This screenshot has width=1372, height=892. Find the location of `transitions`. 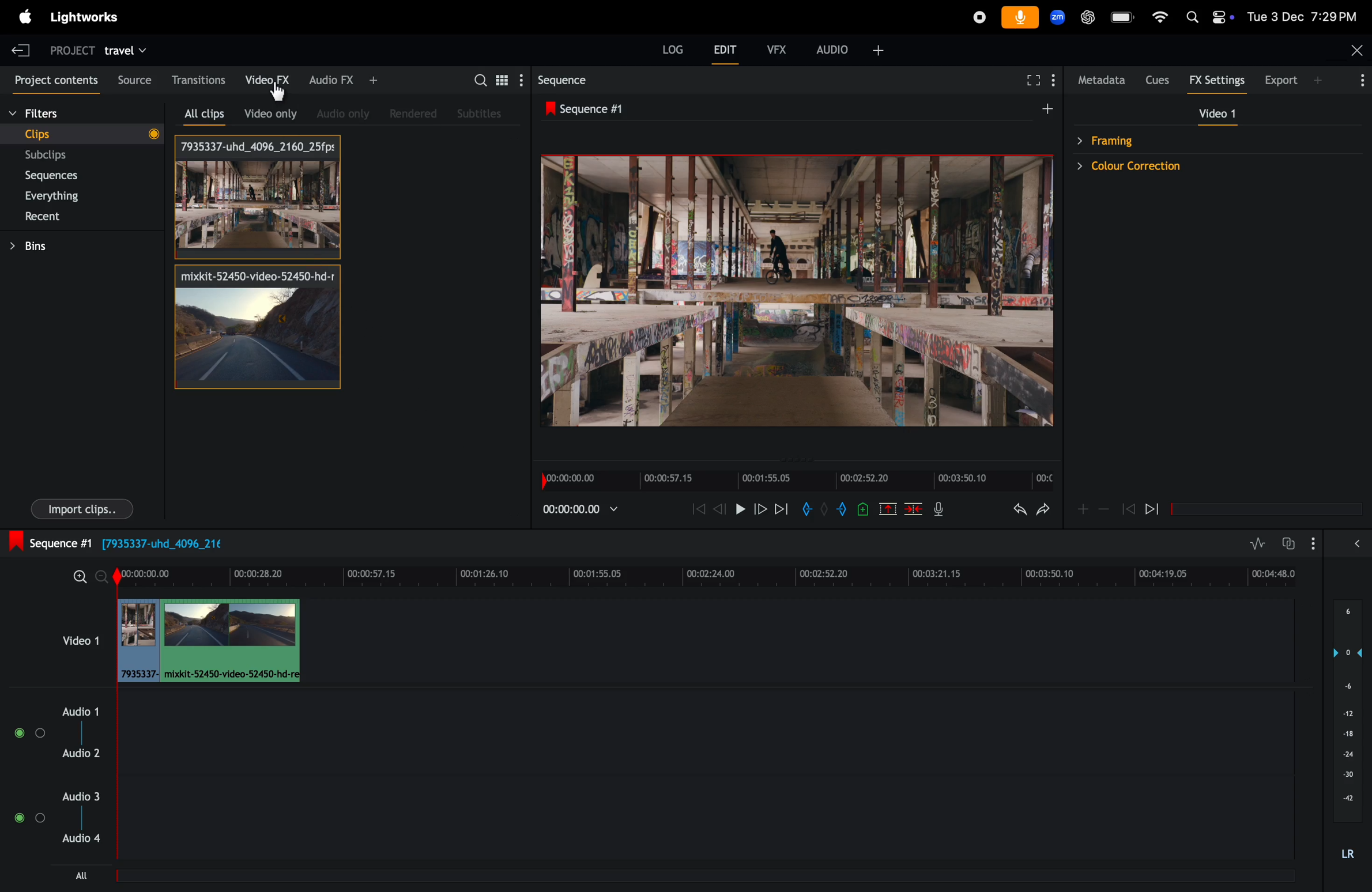

transitions is located at coordinates (198, 78).